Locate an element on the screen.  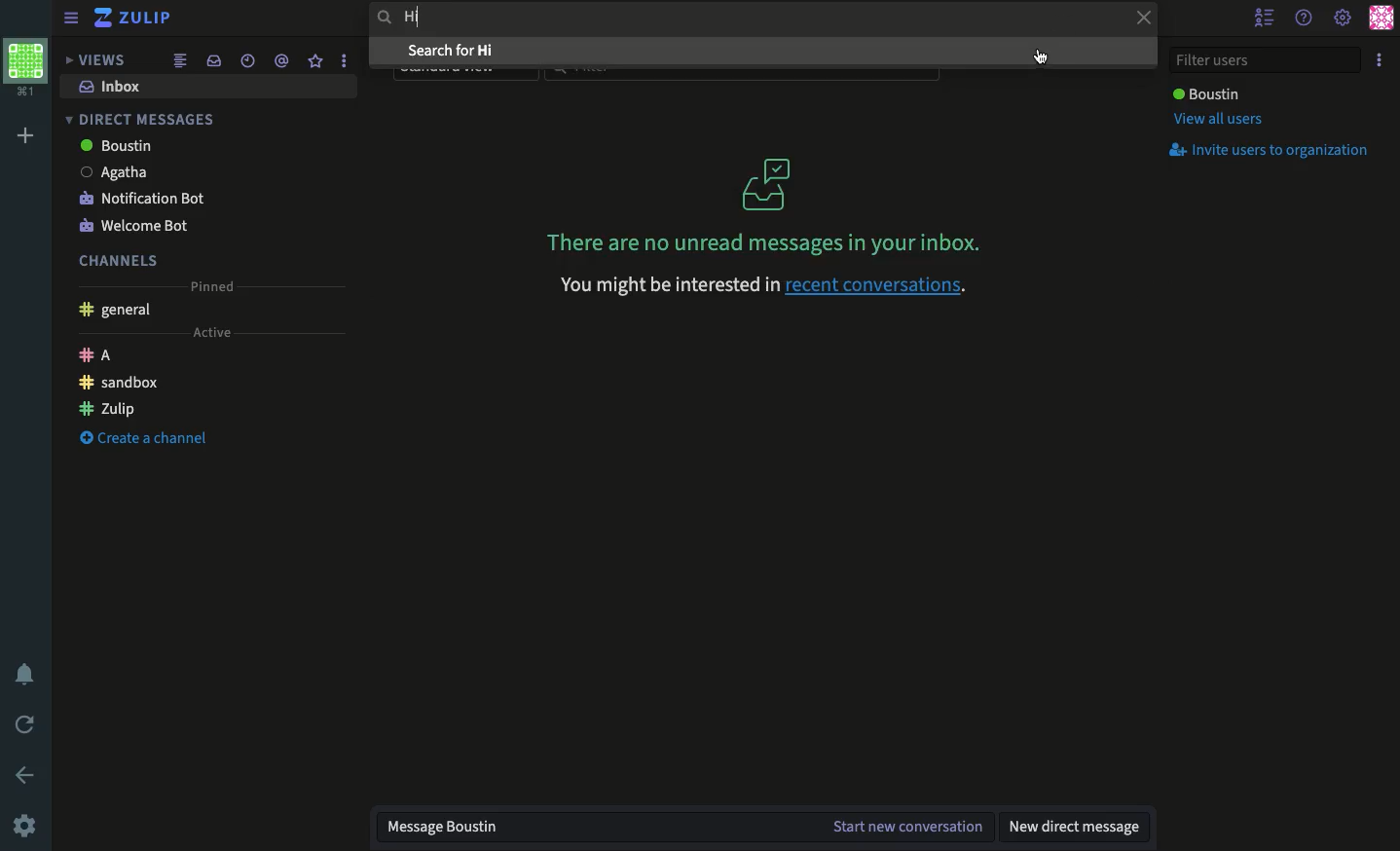
Favorite is located at coordinates (315, 61).